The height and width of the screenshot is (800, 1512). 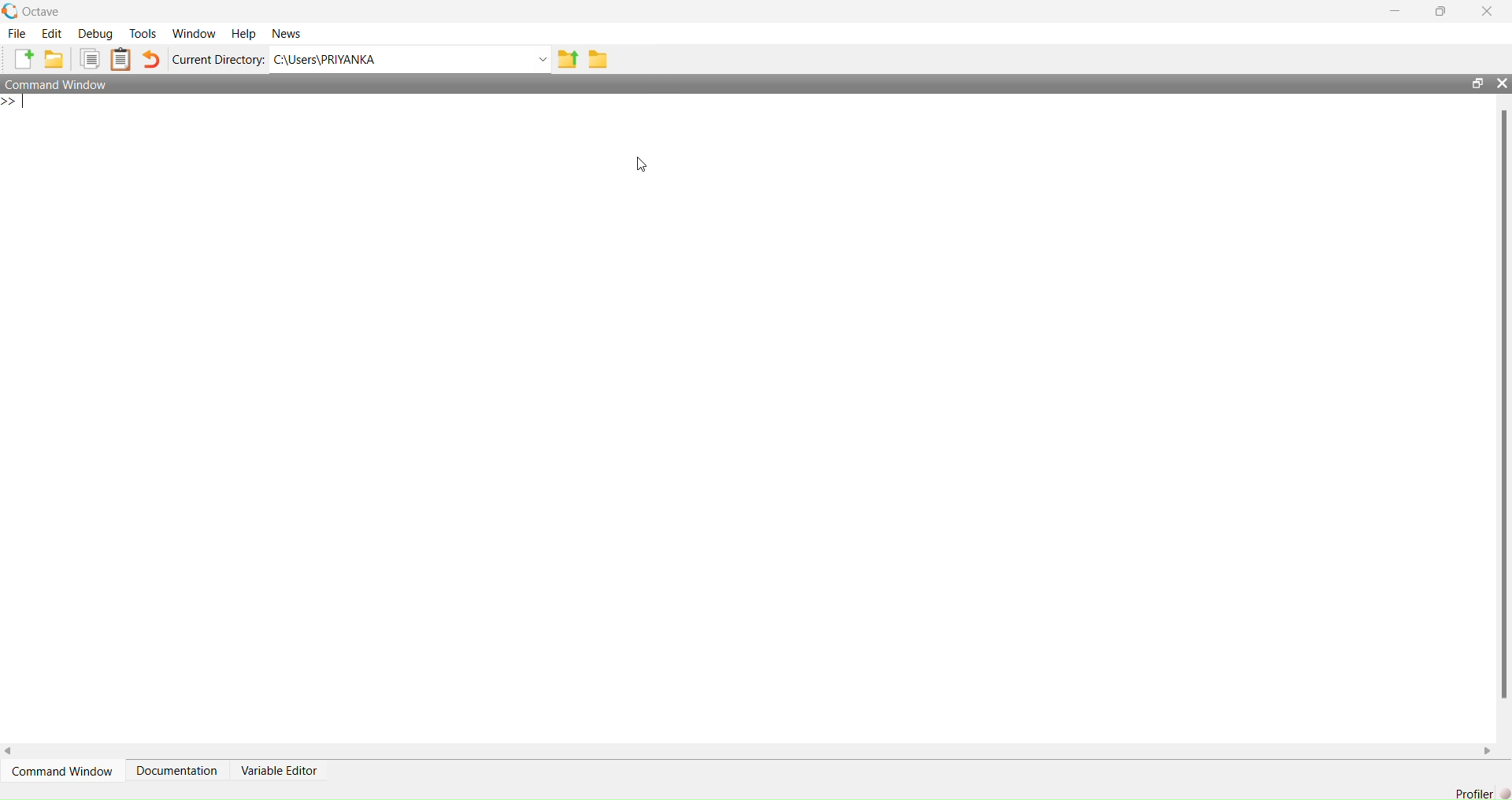 What do you see at coordinates (569, 58) in the screenshot?
I see `share folder` at bounding box center [569, 58].